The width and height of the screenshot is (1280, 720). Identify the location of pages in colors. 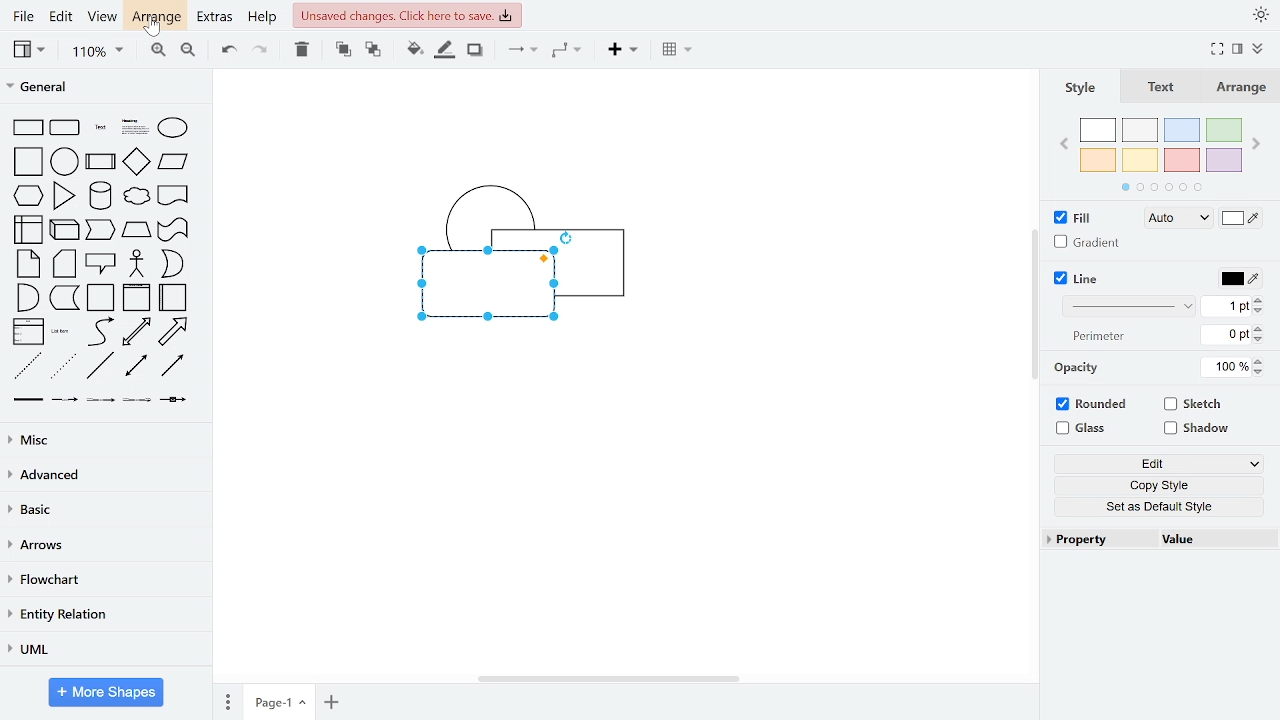
(1162, 187).